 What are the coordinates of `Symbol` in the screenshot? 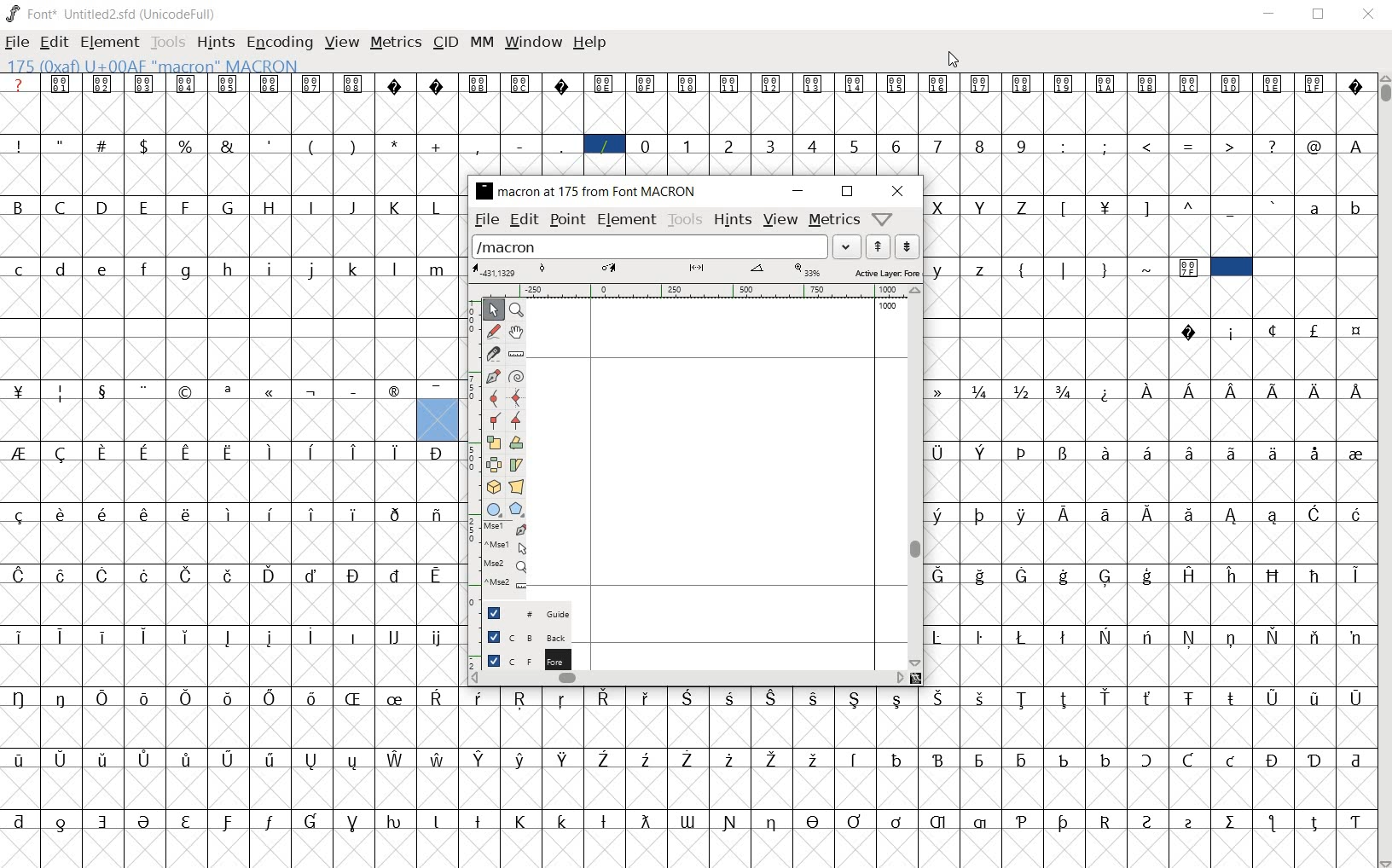 It's located at (1023, 818).